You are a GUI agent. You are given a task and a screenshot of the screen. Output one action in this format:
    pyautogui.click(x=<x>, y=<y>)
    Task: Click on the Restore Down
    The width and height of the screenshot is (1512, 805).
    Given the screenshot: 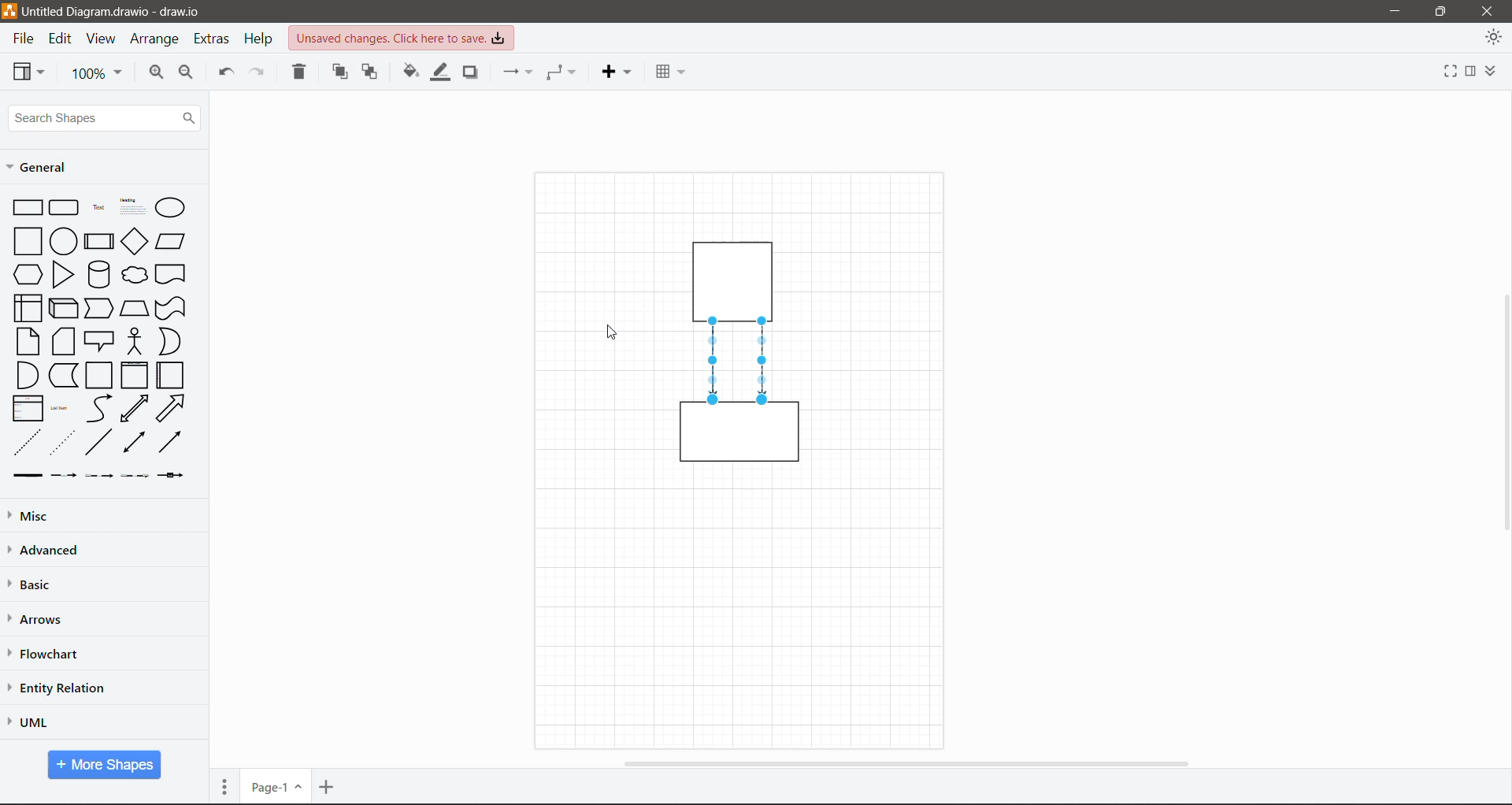 What is the action you would take?
    pyautogui.click(x=1441, y=10)
    